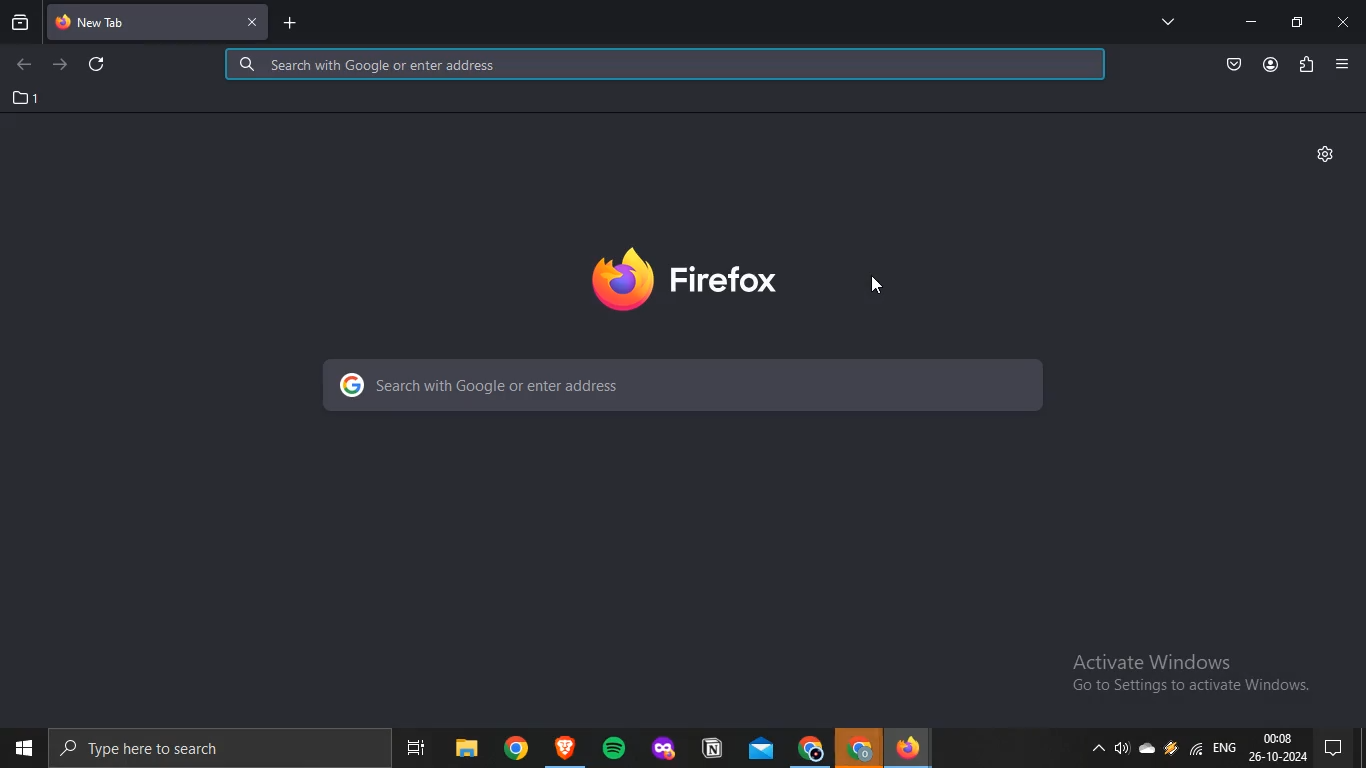 This screenshot has height=768, width=1366. Describe the element at coordinates (565, 744) in the screenshot. I see `app icon` at that location.